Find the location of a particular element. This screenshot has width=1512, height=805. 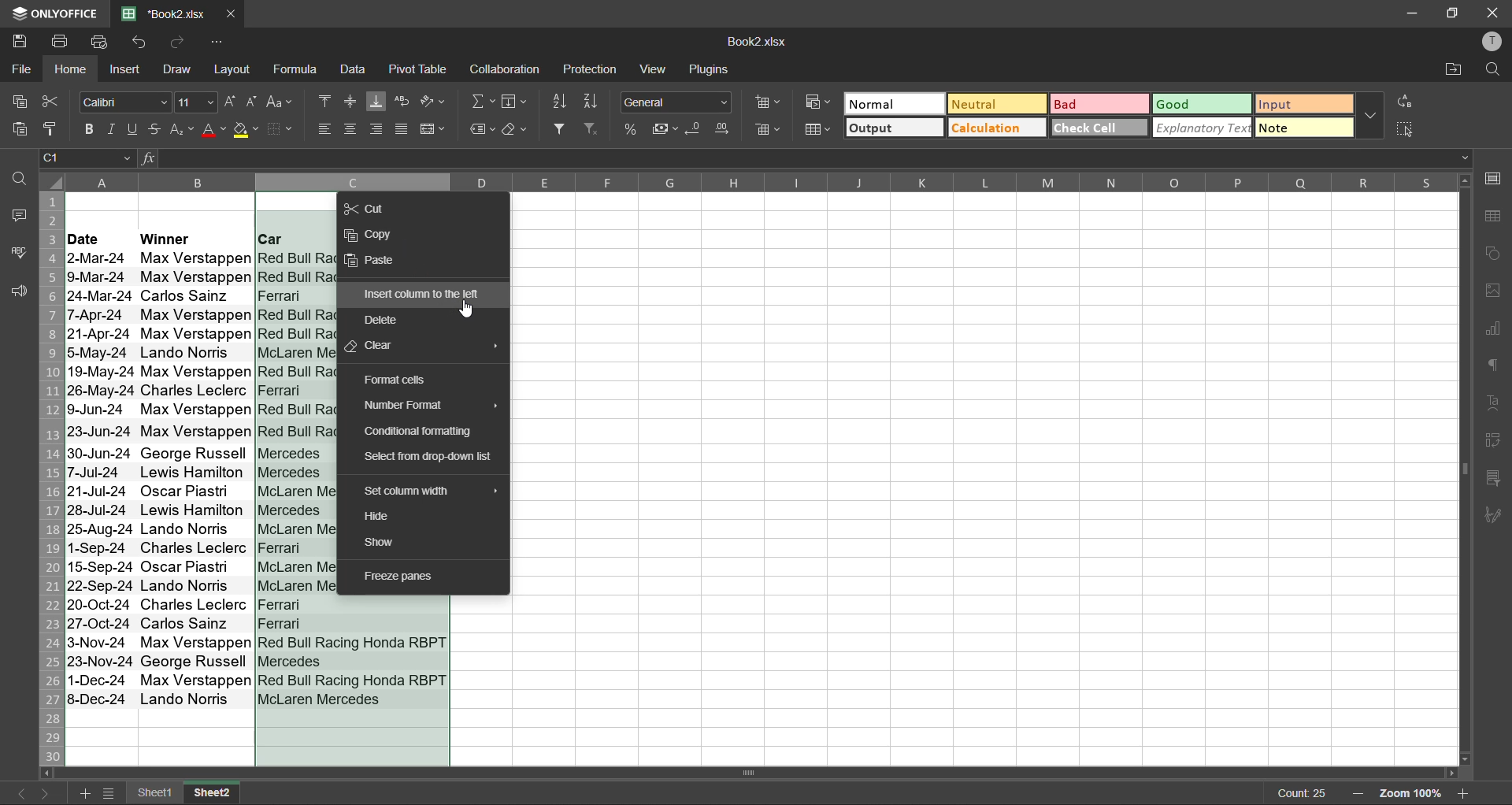

slicer is located at coordinates (1496, 478).